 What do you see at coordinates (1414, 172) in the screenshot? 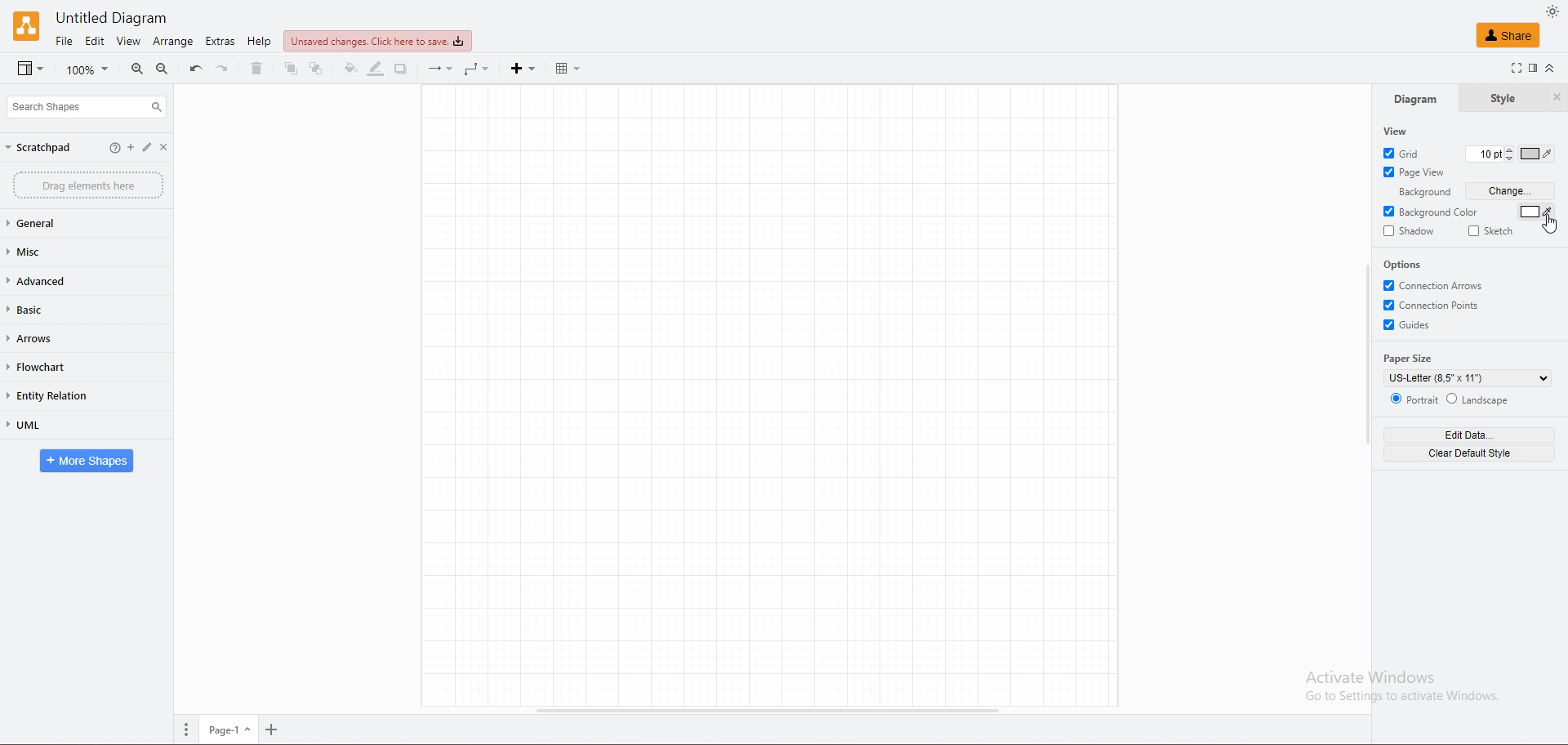
I see `page view` at bounding box center [1414, 172].